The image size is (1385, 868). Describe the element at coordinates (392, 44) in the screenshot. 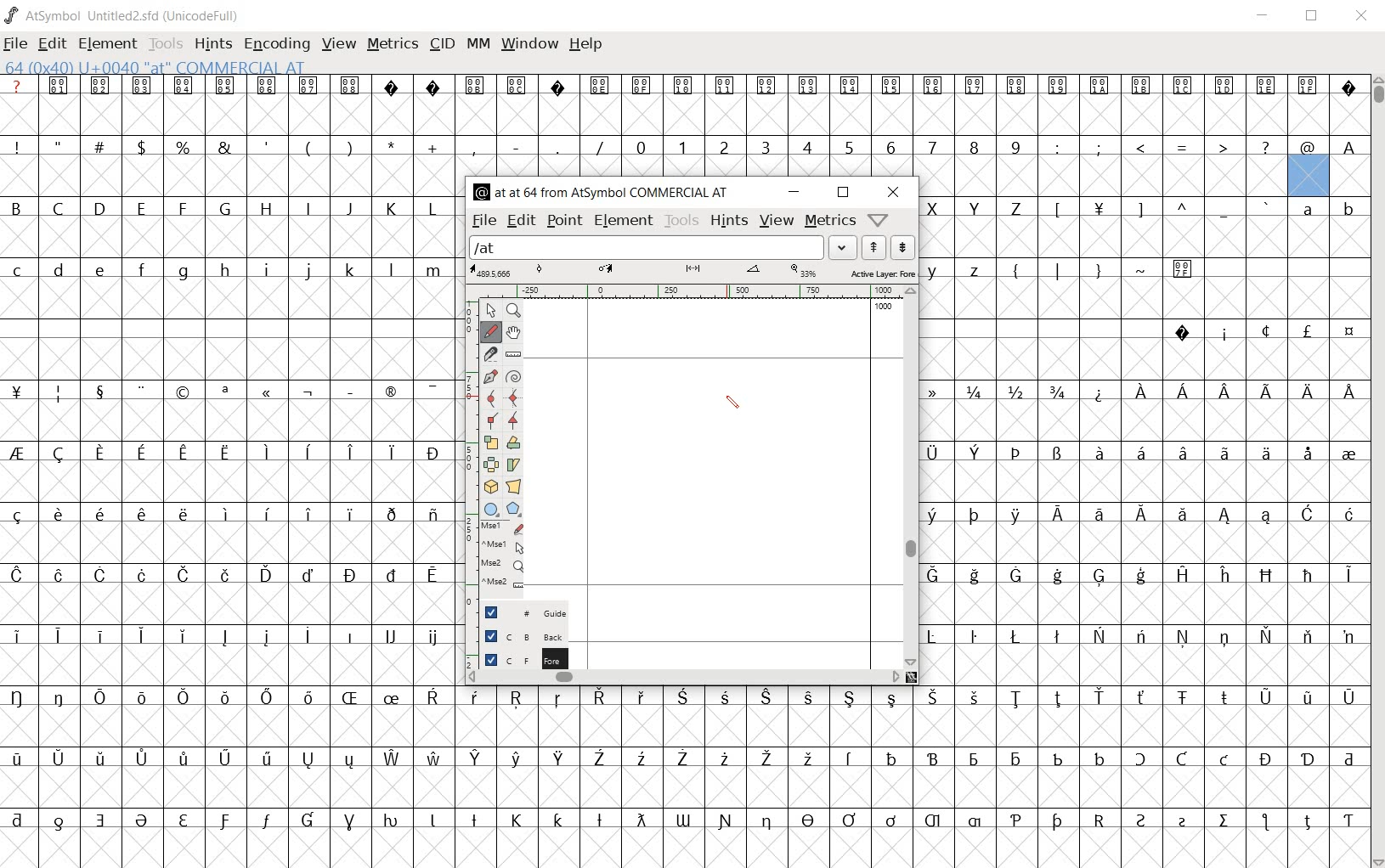

I see `METRICS` at that location.